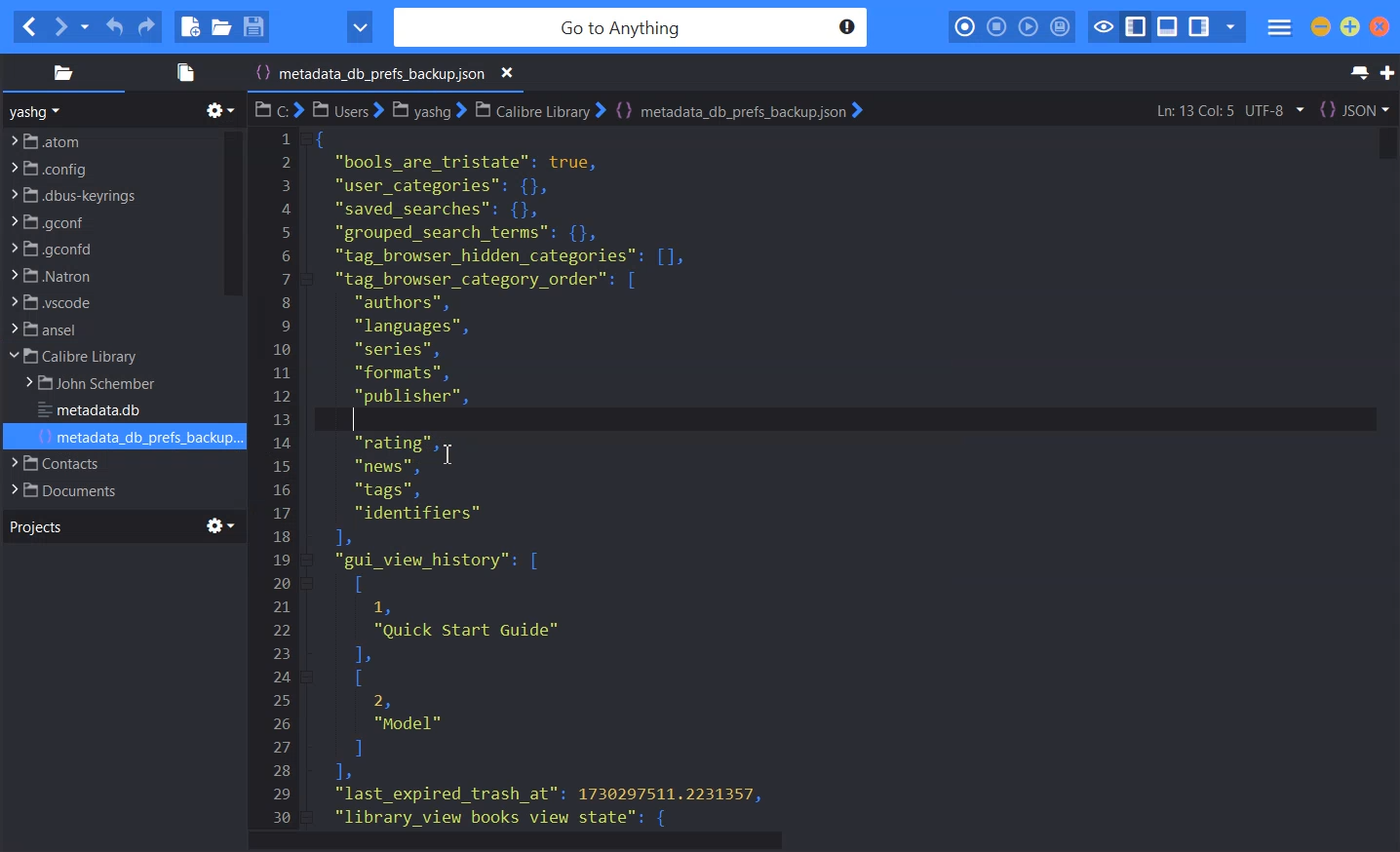 The image size is (1400, 852). Describe the element at coordinates (232, 213) in the screenshot. I see `Vertical scroll bar` at that location.